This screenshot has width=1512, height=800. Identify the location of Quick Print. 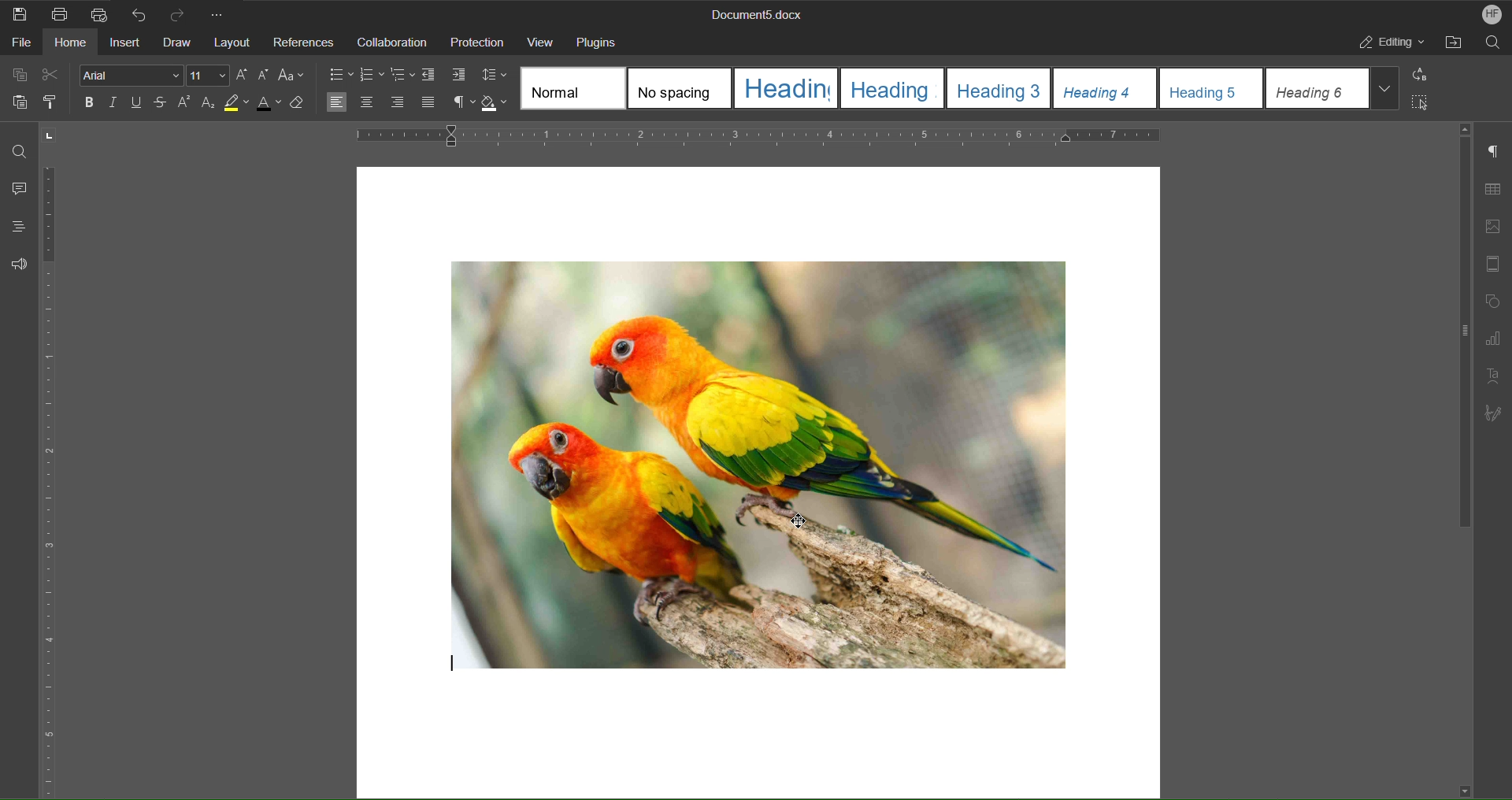
(98, 13).